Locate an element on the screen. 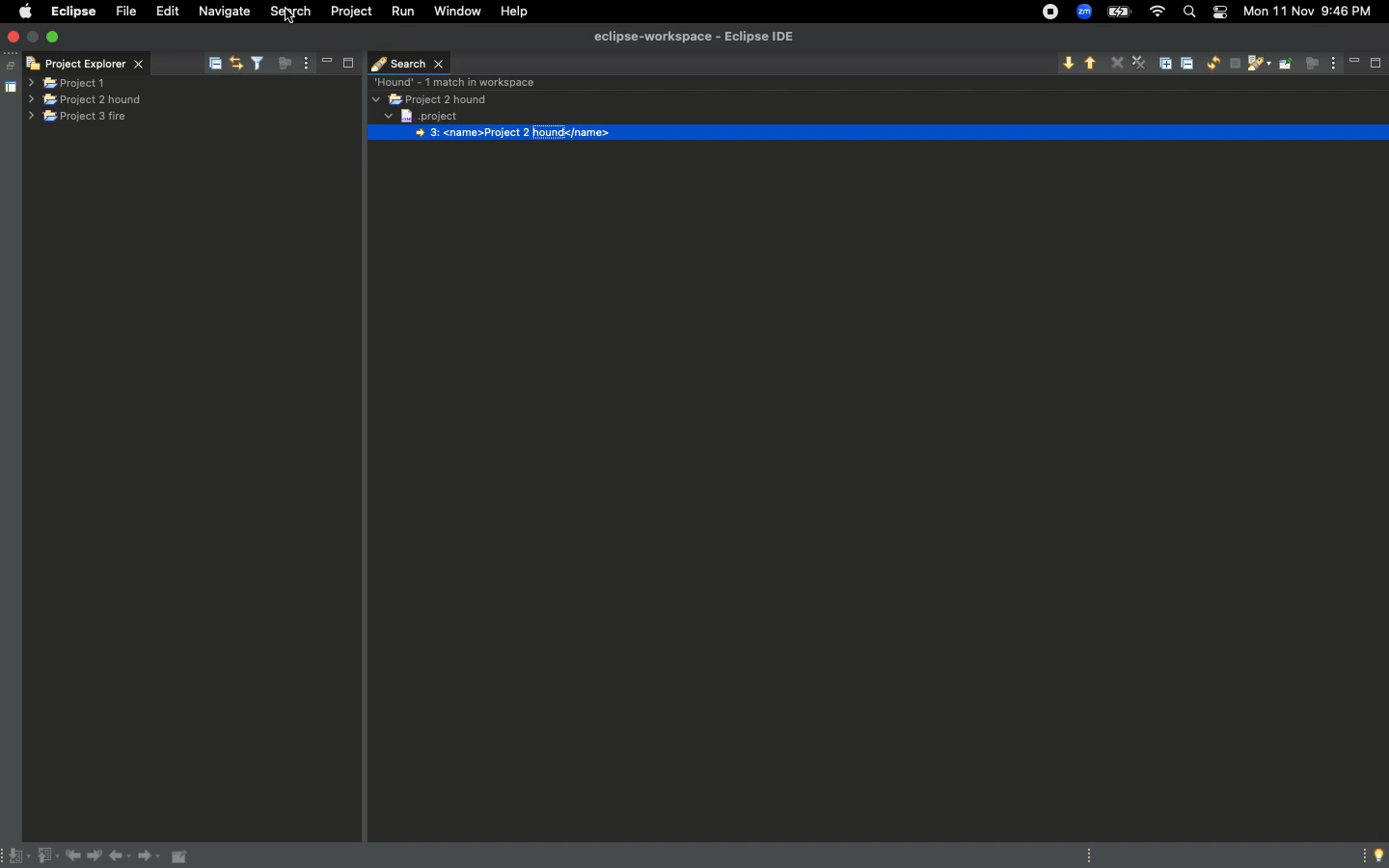 Image resolution: width=1389 pixels, height=868 pixels. Notification is located at coordinates (1218, 14).